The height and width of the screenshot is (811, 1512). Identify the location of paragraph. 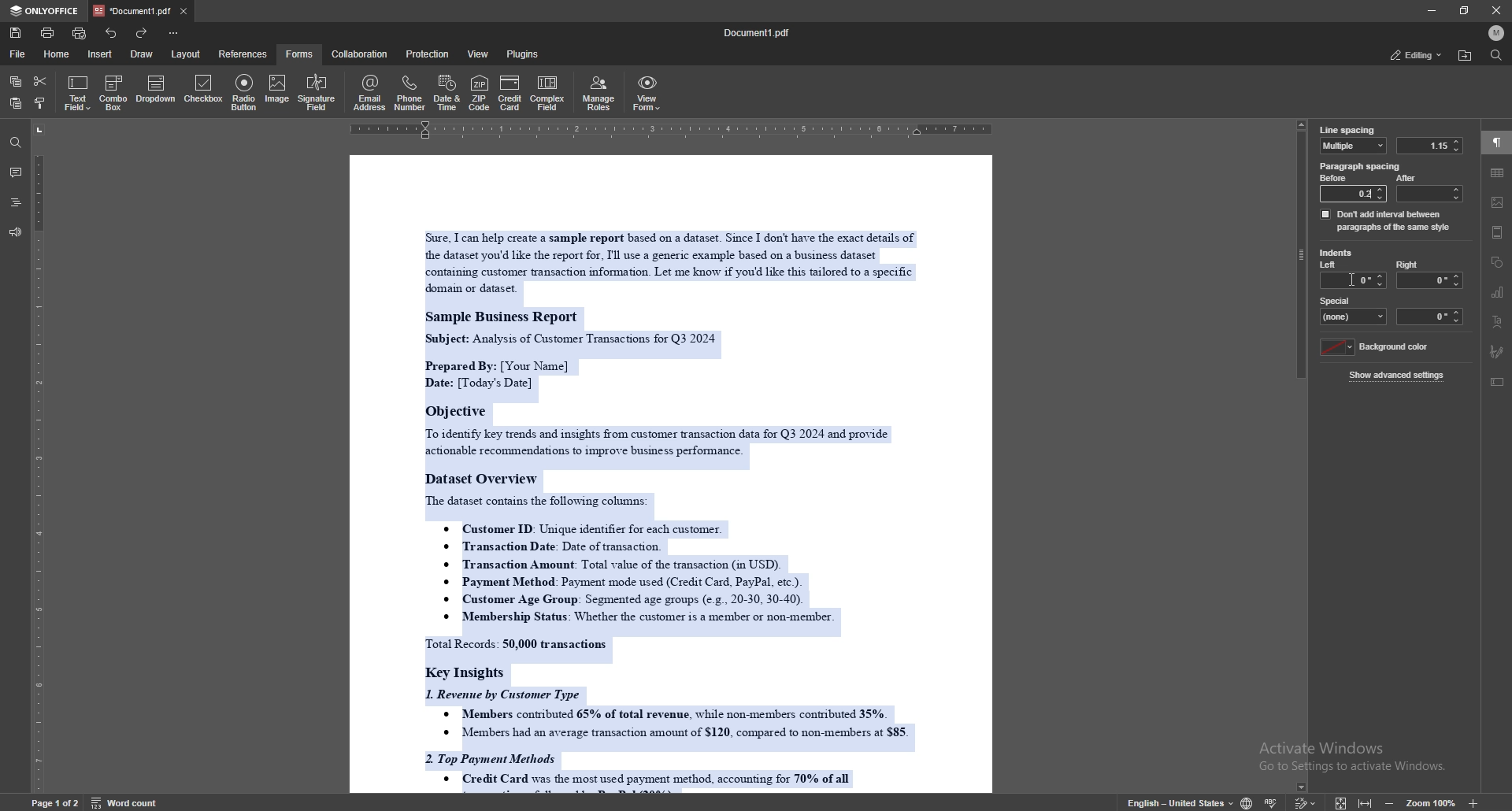
(1497, 143).